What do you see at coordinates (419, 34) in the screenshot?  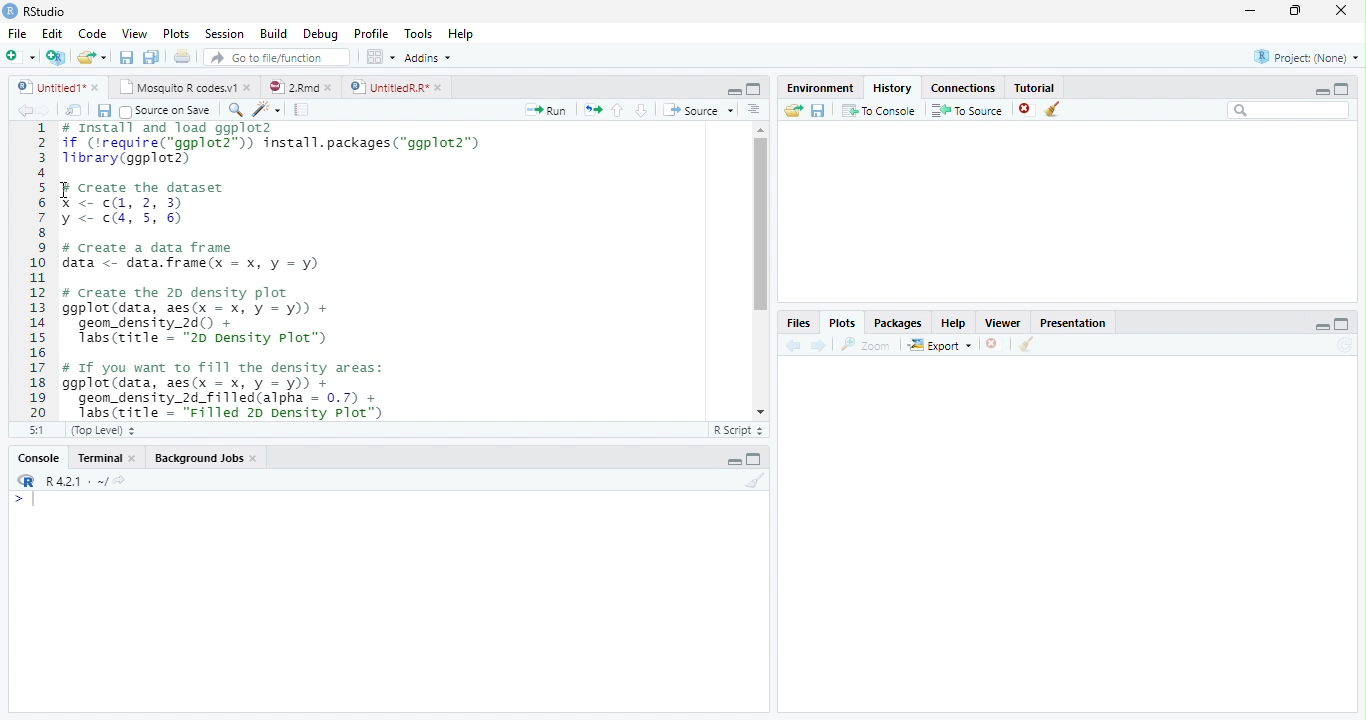 I see `Tools` at bounding box center [419, 34].